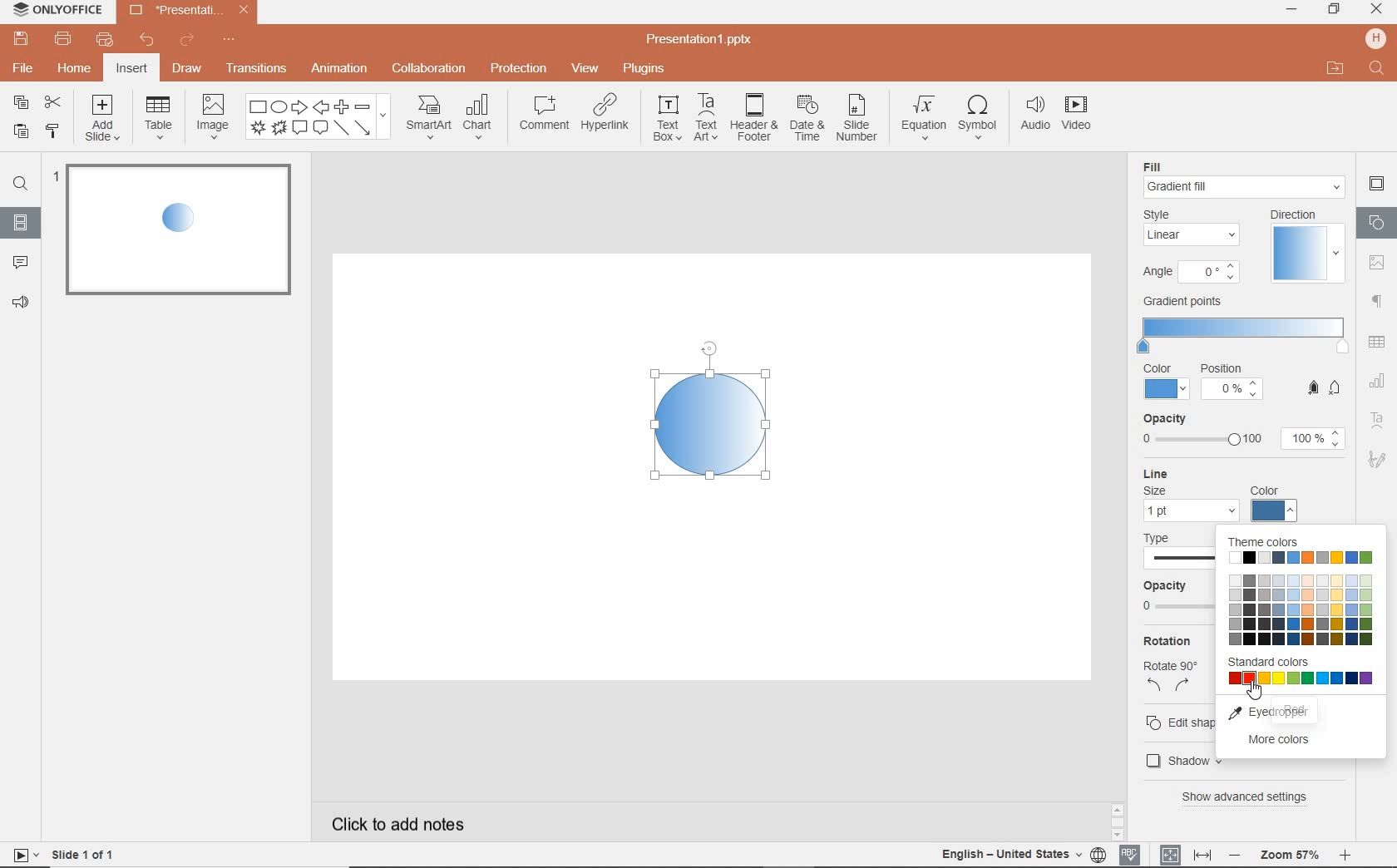 This screenshot has width=1397, height=868. What do you see at coordinates (187, 11) in the screenshot?
I see `file name` at bounding box center [187, 11].